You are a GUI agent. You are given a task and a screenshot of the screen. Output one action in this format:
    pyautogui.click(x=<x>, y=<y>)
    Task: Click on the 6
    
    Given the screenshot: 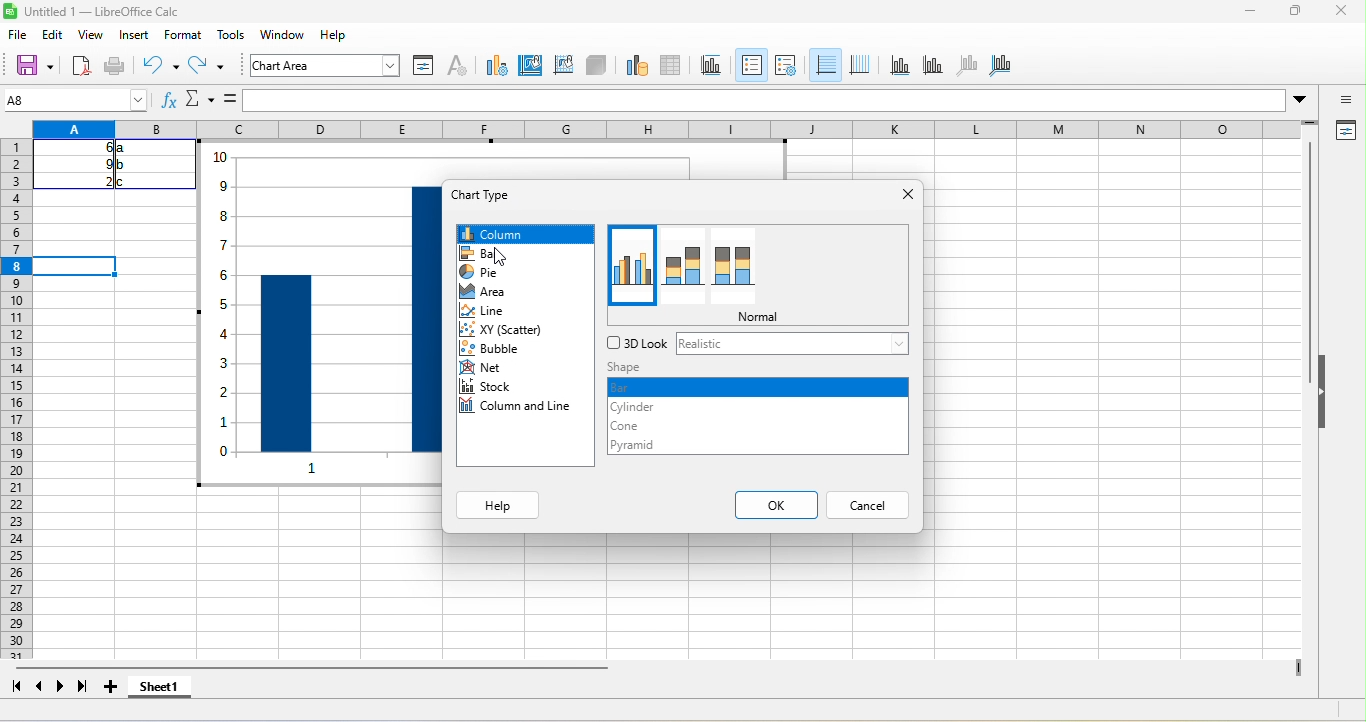 What is the action you would take?
    pyautogui.click(x=94, y=147)
    